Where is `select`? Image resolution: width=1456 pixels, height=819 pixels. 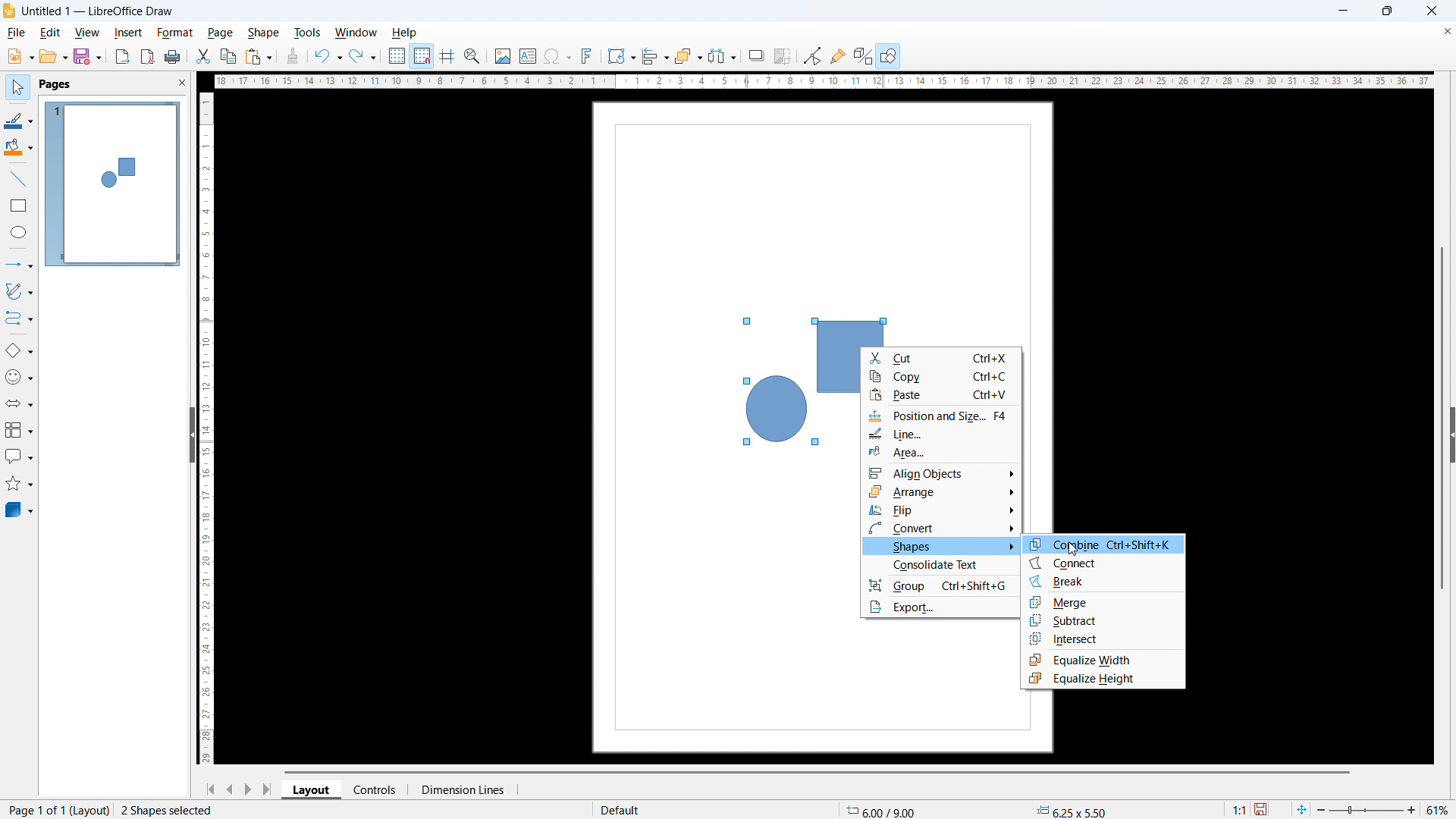 select is located at coordinates (17, 88).